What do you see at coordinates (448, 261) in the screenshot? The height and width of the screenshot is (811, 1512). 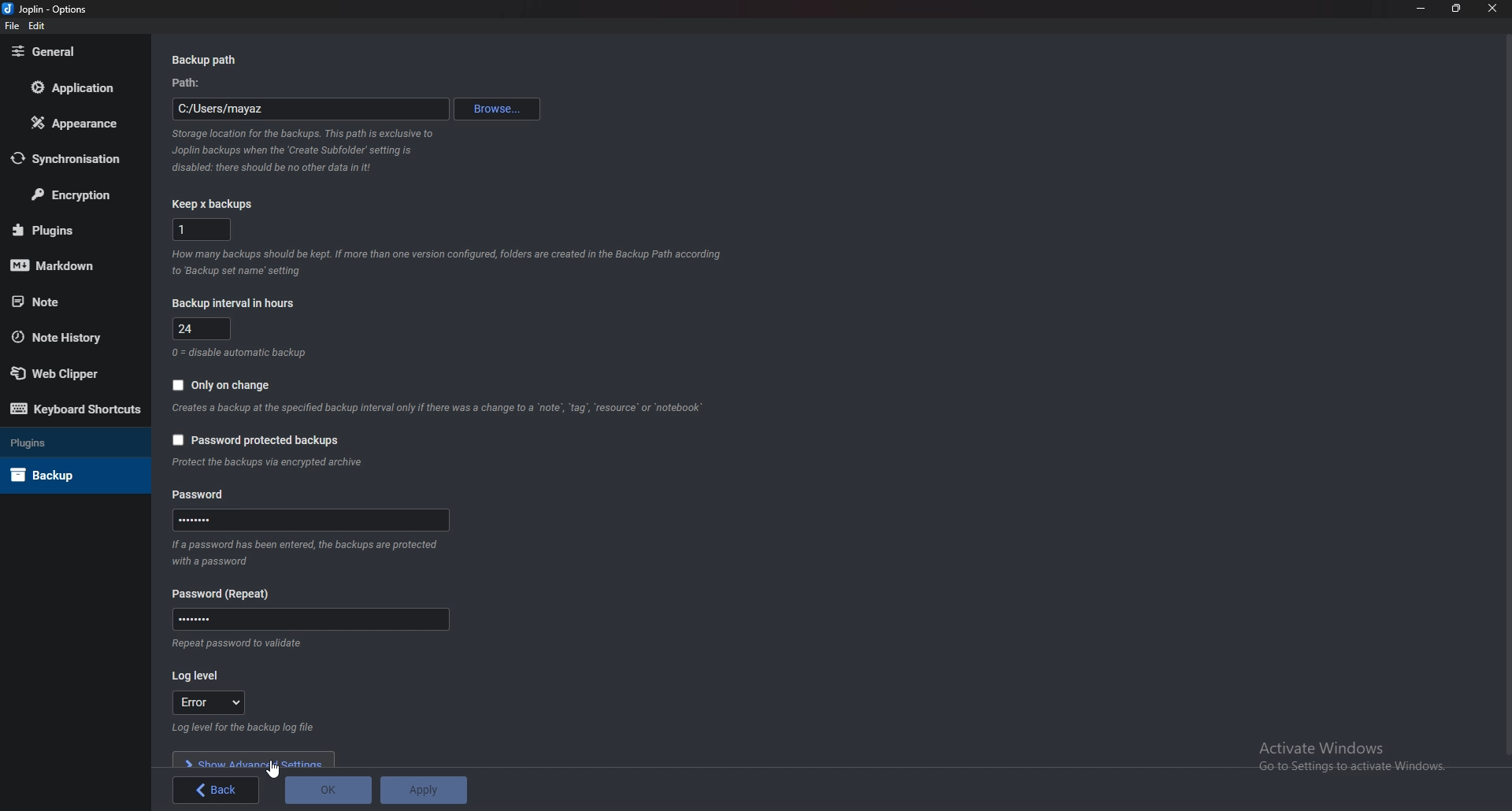 I see `info` at bounding box center [448, 261].